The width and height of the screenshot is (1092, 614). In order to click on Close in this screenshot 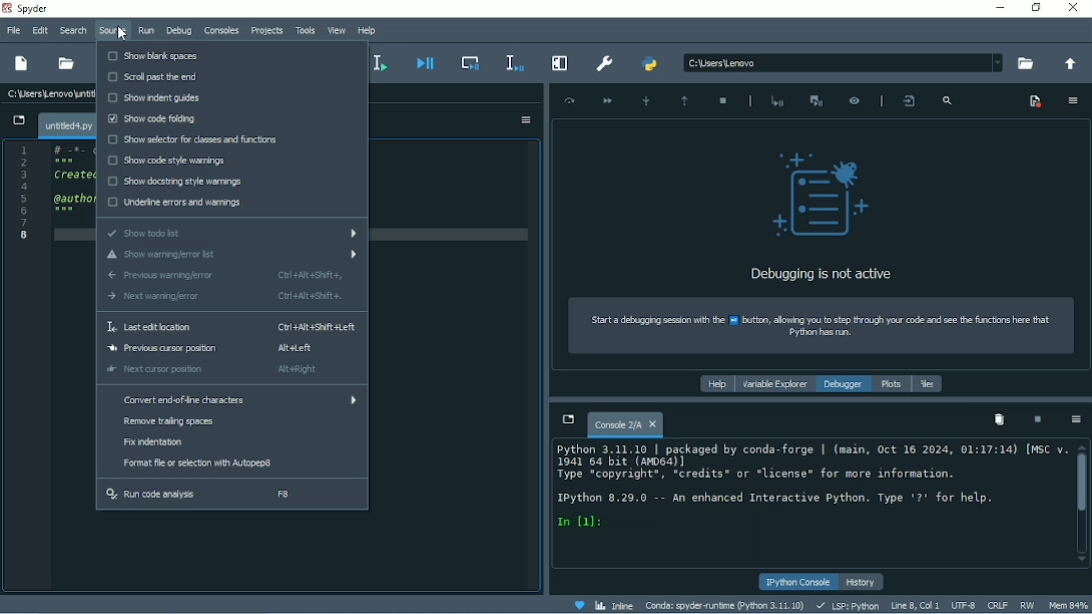, I will do `click(1073, 10)`.